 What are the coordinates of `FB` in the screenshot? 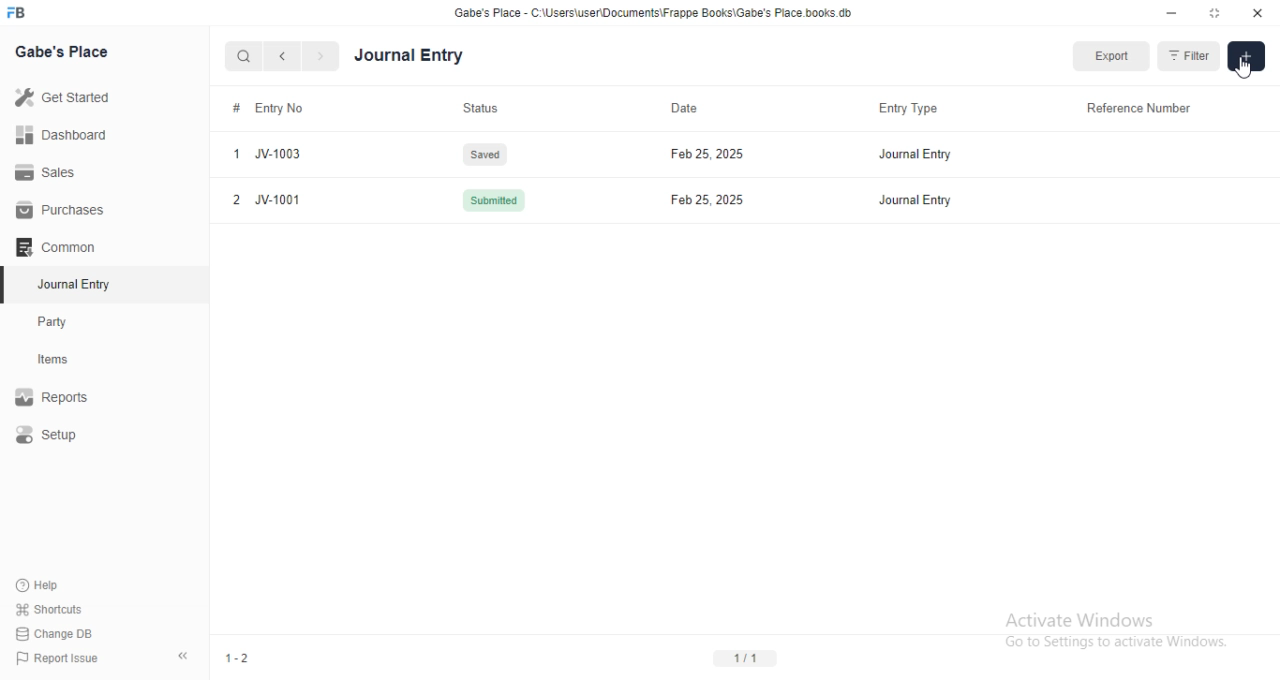 It's located at (19, 11).